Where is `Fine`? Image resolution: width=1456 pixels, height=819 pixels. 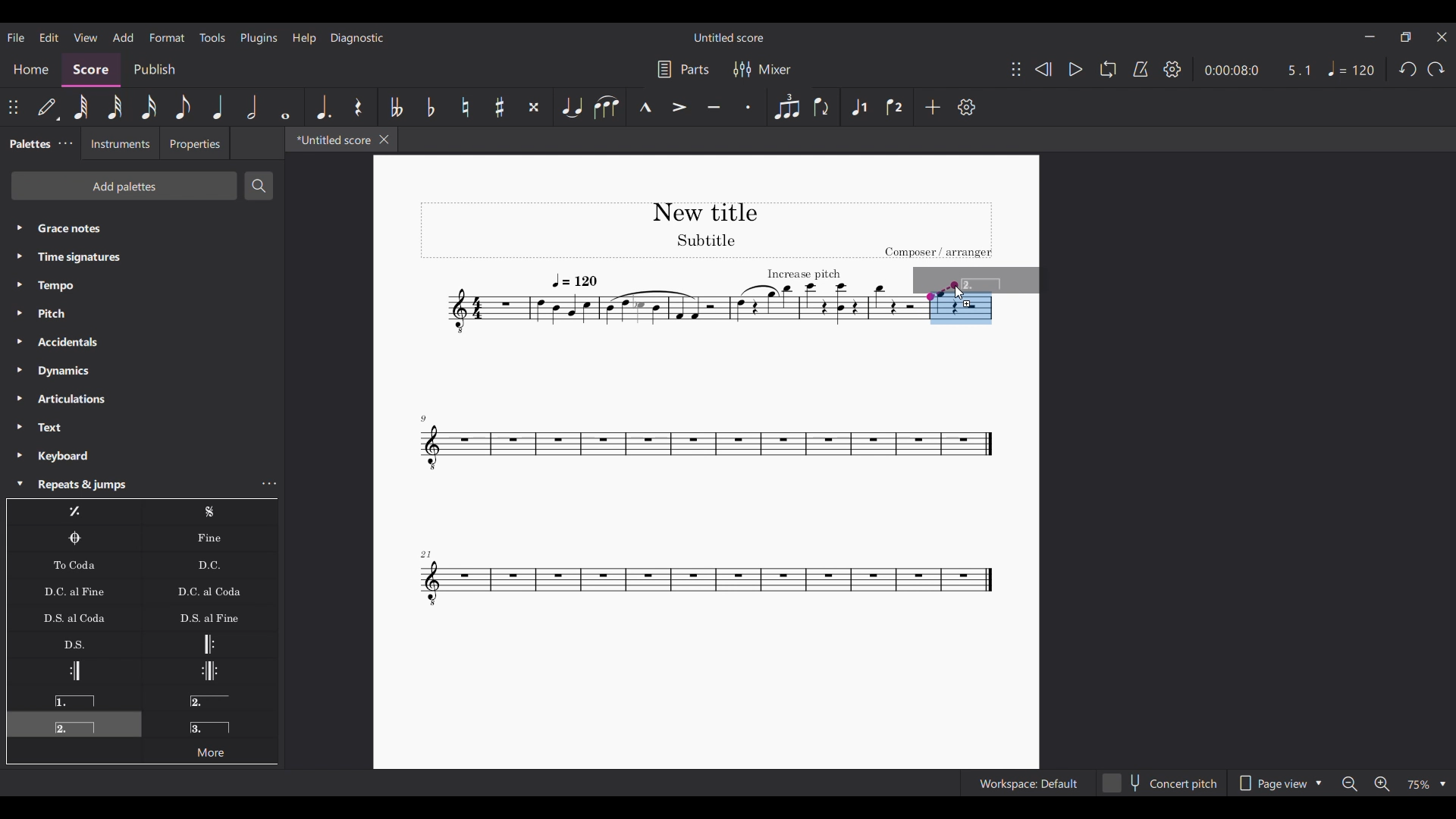
Fine is located at coordinates (209, 538).